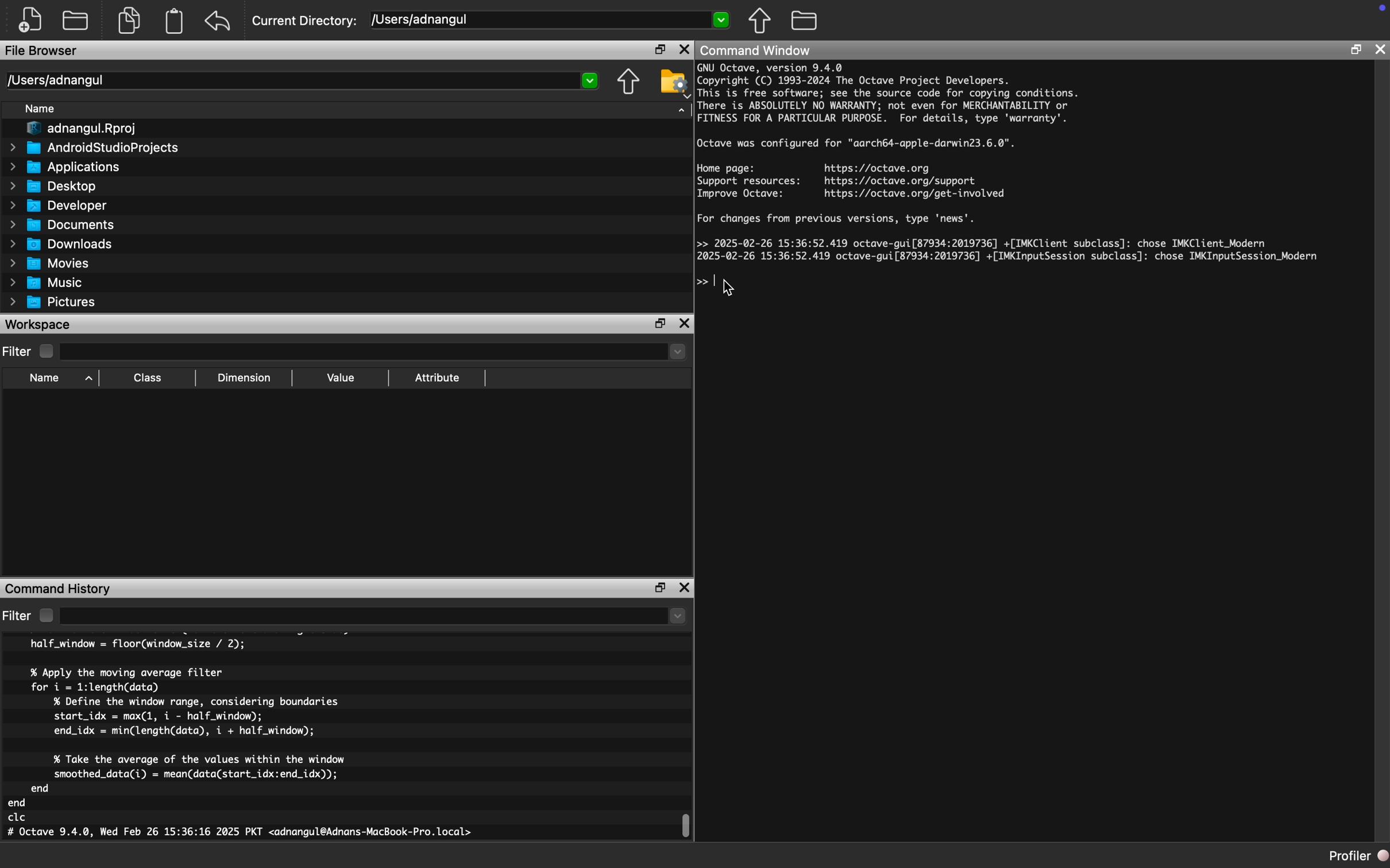 The image size is (1390, 868). What do you see at coordinates (55, 303) in the screenshot?
I see `Pictures` at bounding box center [55, 303].